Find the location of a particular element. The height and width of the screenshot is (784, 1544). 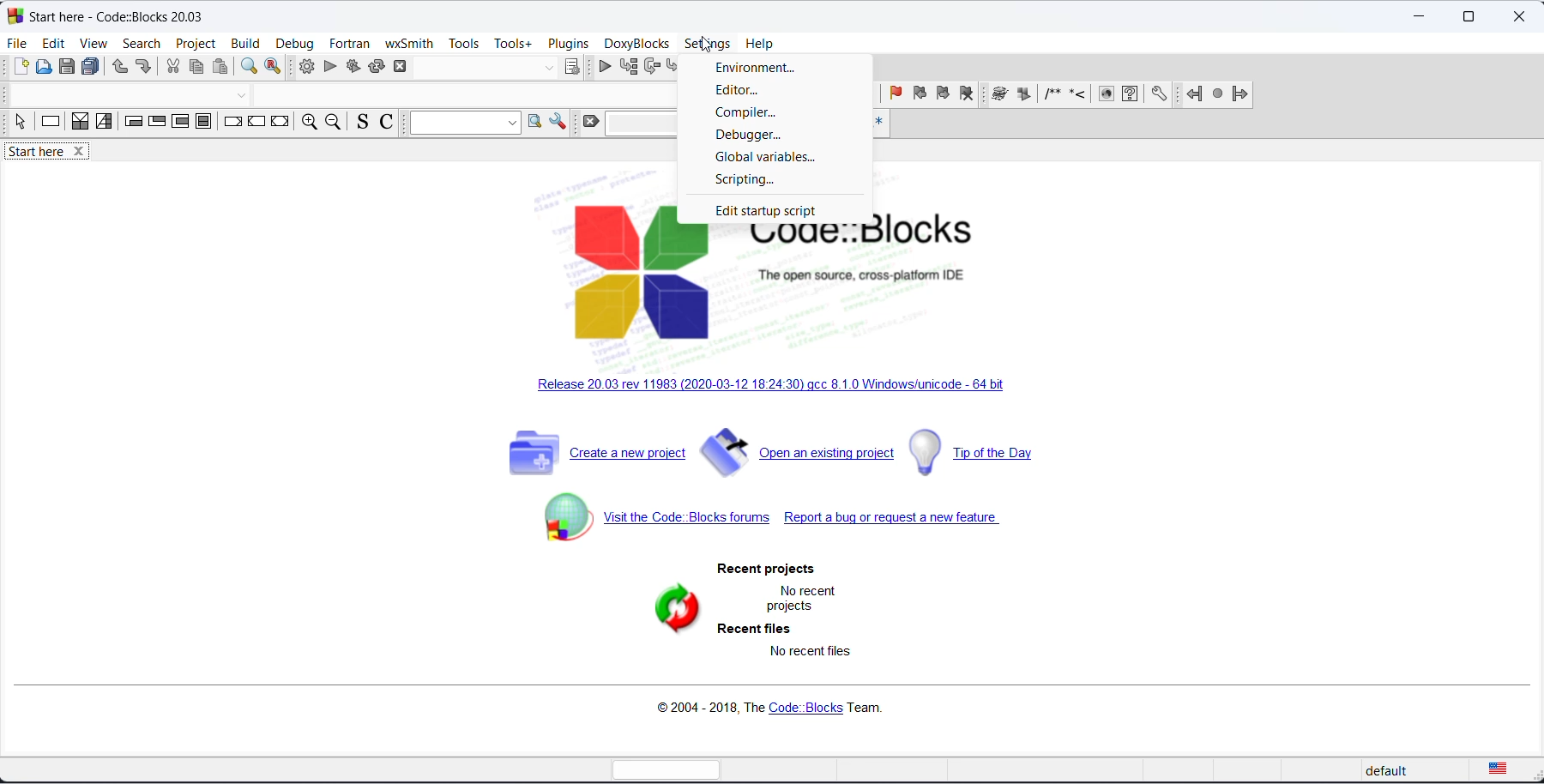

build is located at coordinates (305, 66).